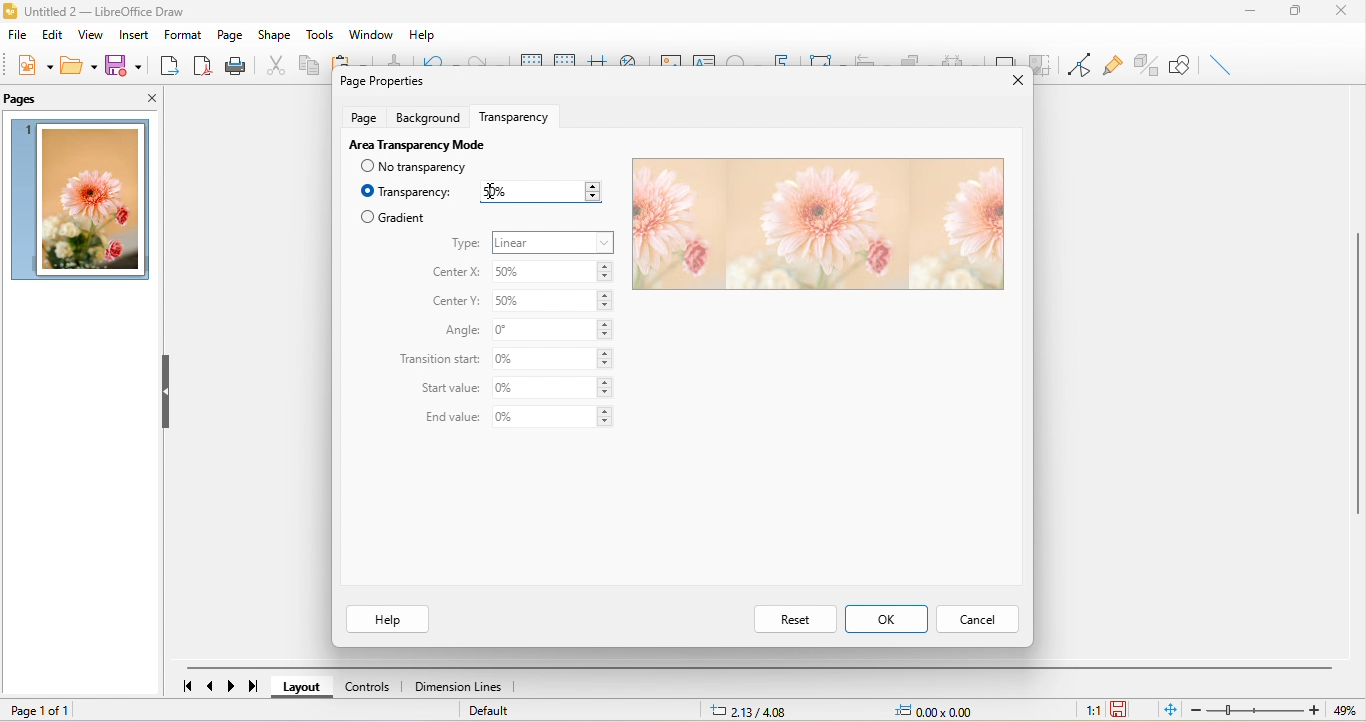  Describe the element at coordinates (451, 390) in the screenshot. I see `start value` at that location.